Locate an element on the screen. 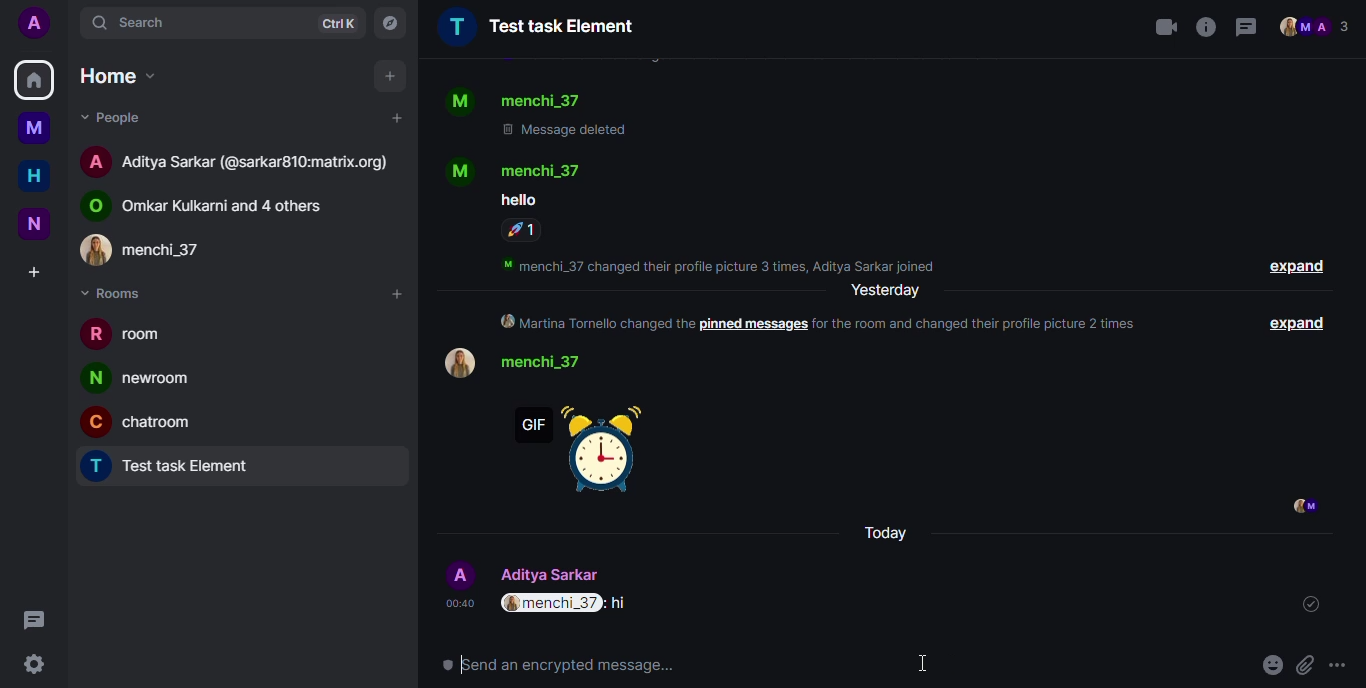 The image size is (1366, 688). Martina tornello changed is located at coordinates (596, 325).